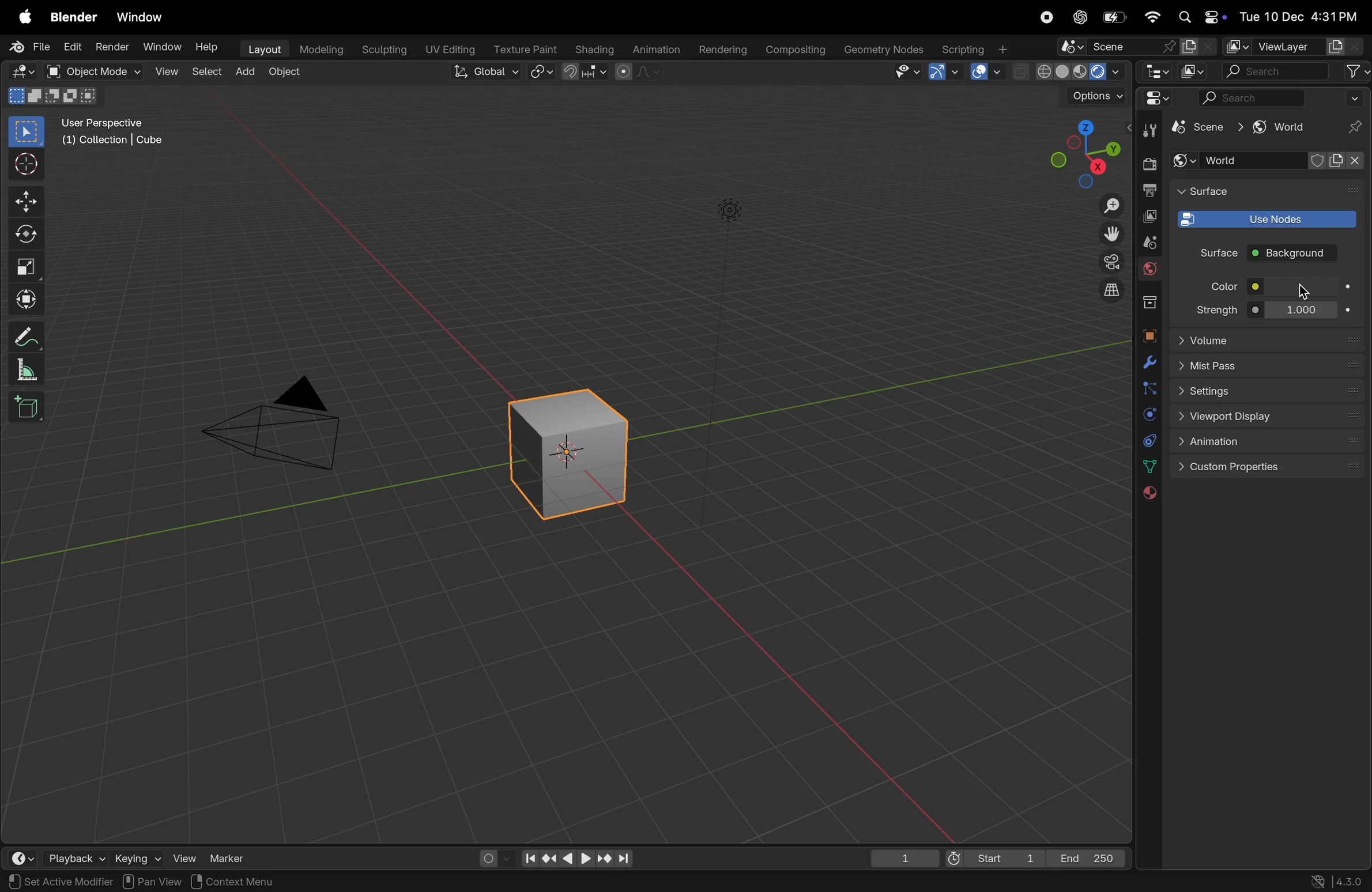  What do you see at coordinates (1148, 164) in the screenshot?
I see `render` at bounding box center [1148, 164].